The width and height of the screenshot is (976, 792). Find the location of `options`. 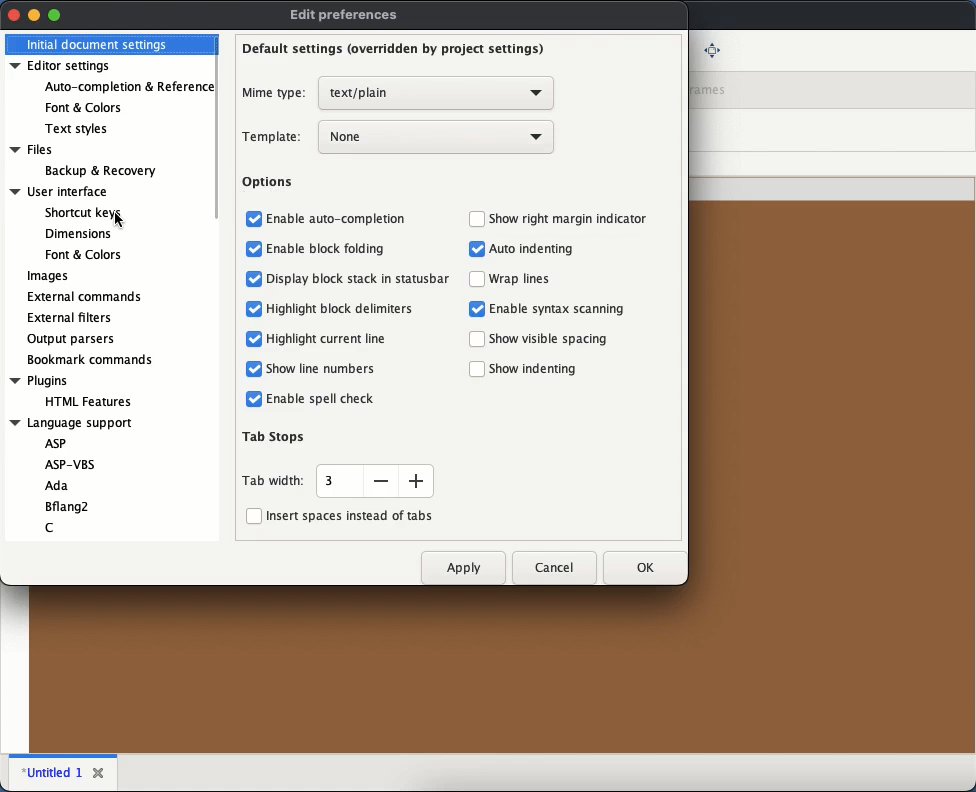

options is located at coordinates (267, 185).